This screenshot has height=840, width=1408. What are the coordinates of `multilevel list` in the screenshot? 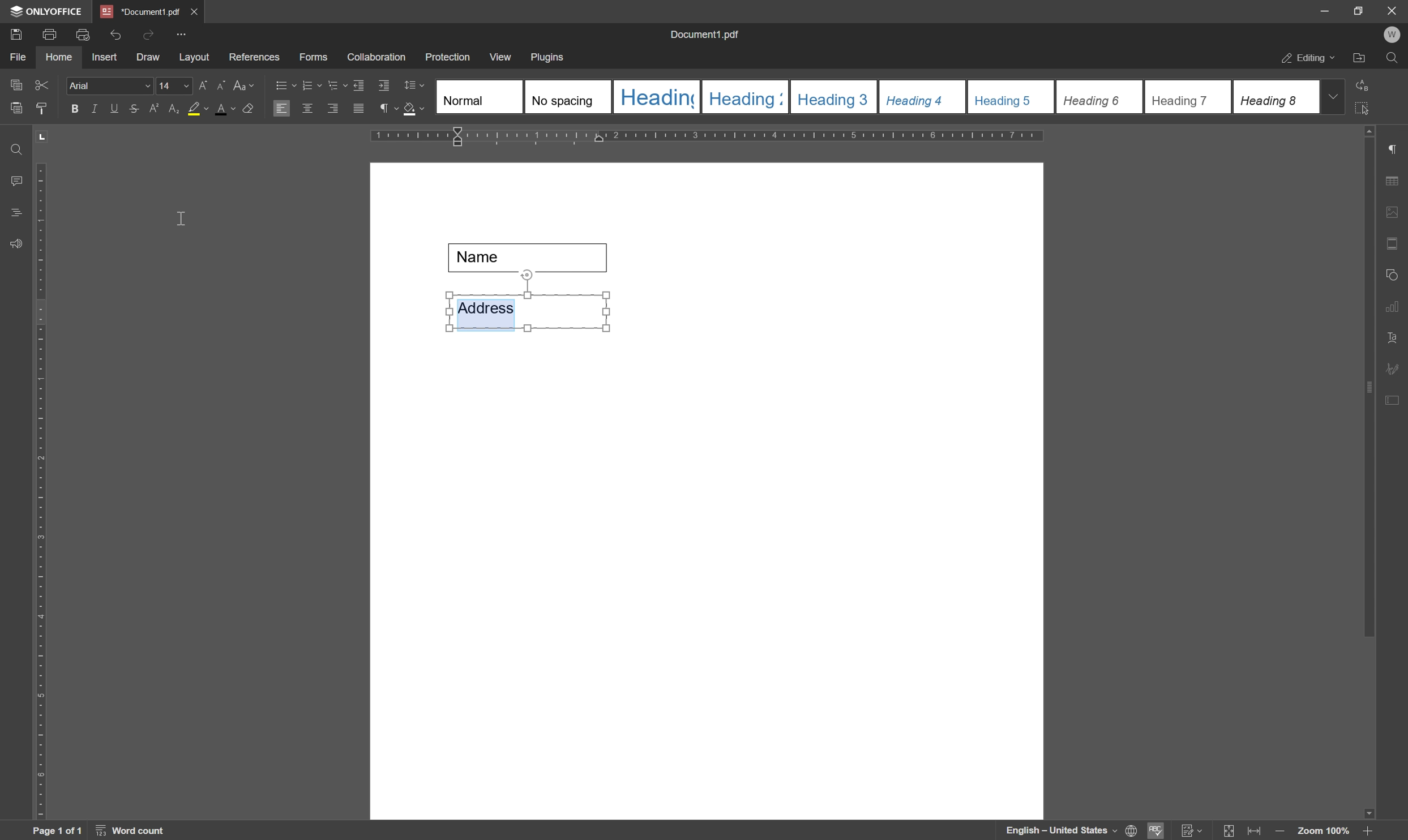 It's located at (336, 85).